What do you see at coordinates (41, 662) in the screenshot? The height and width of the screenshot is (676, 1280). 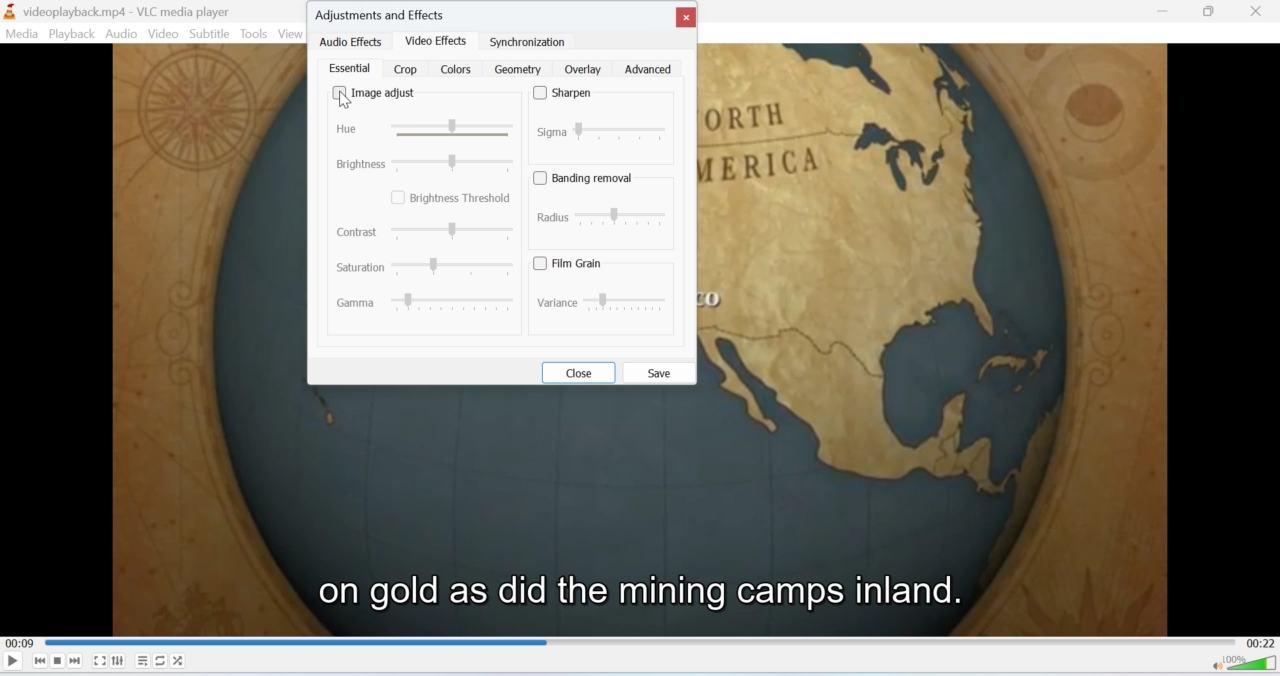 I see `Seek backwards` at bounding box center [41, 662].